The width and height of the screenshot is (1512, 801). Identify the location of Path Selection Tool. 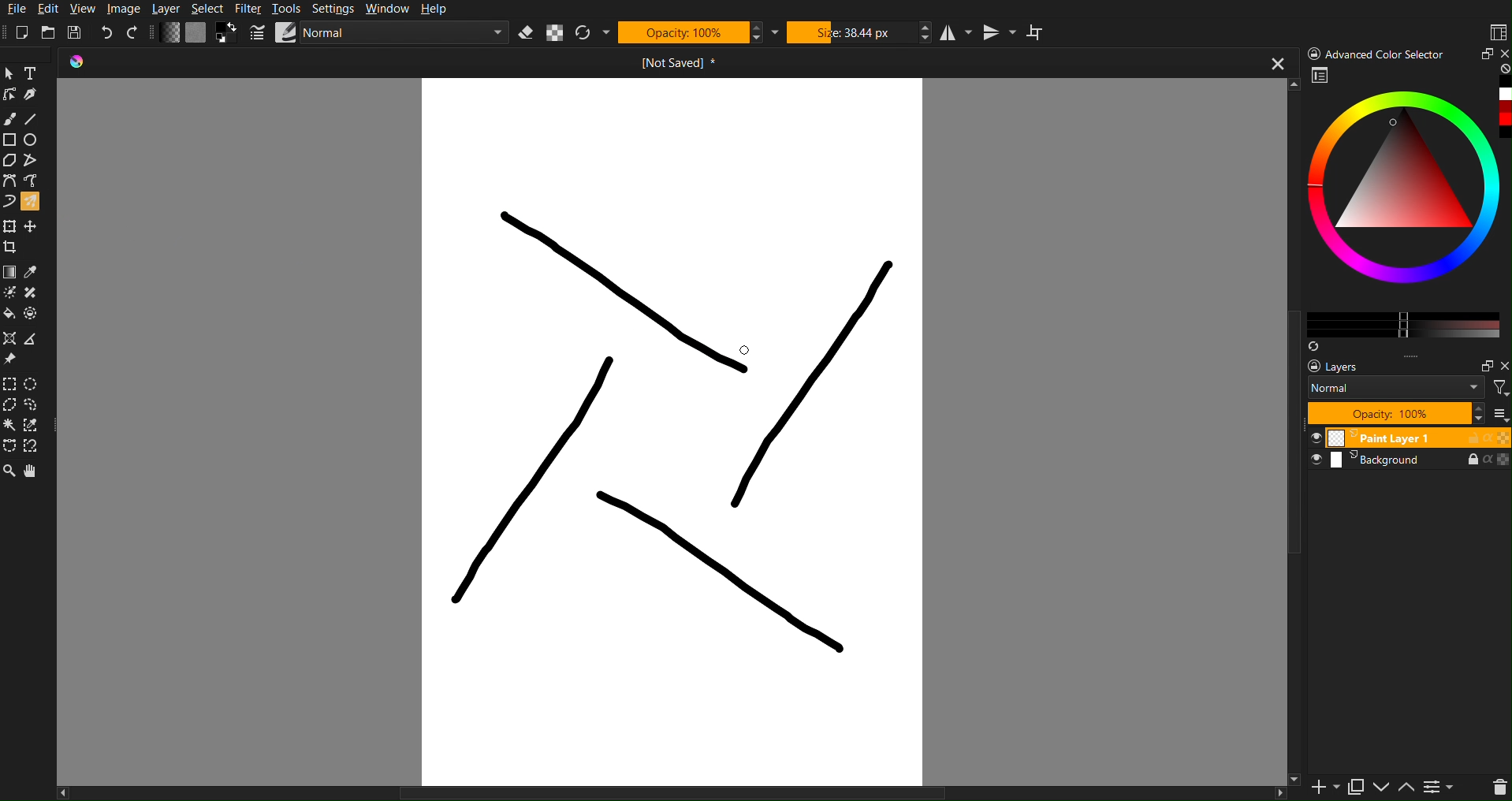
(10, 446).